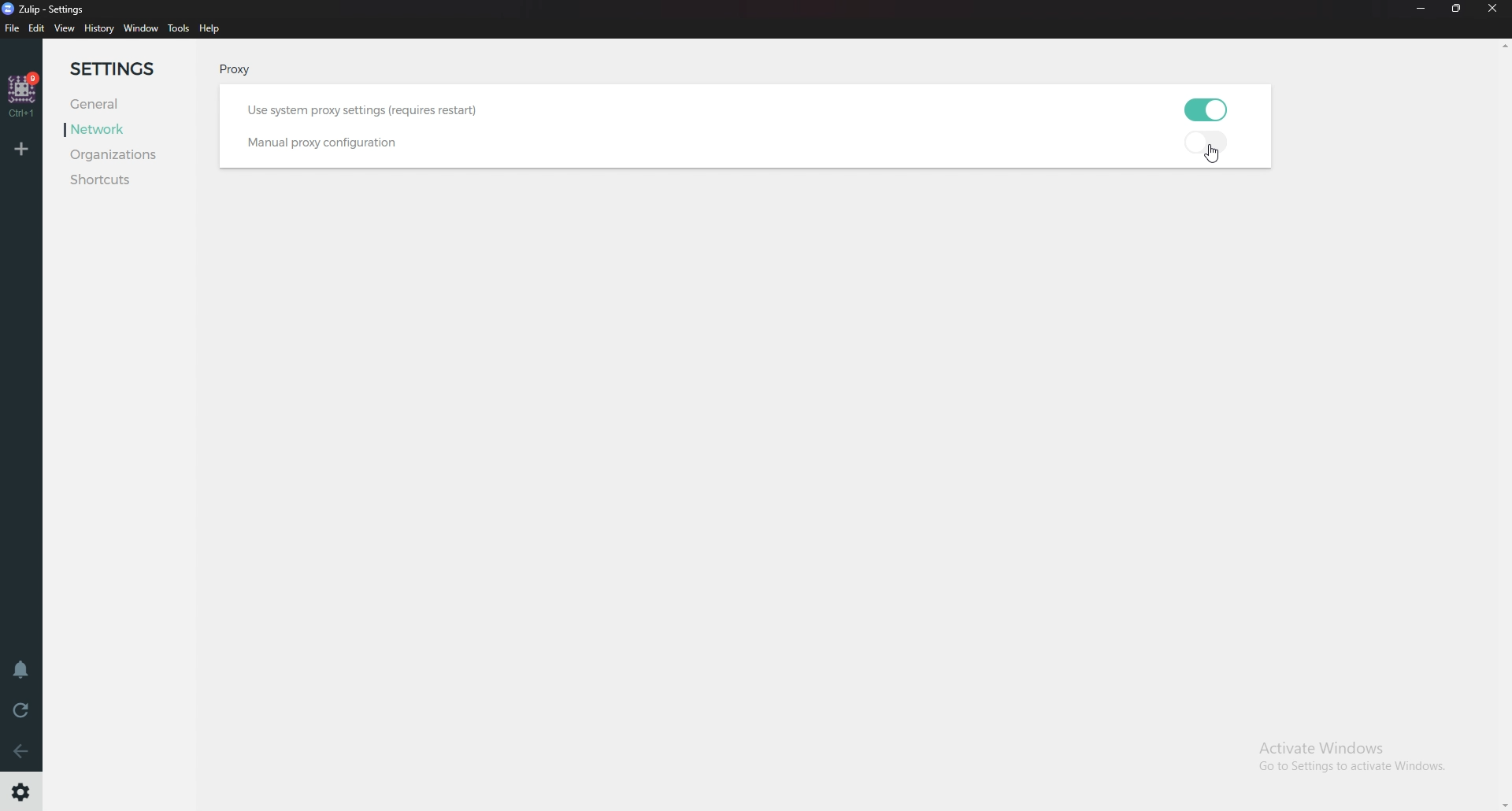 This screenshot has height=811, width=1512. What do you see at coordinates (1495, 13) in the screenshot?
I see `Close` at bounding box center [1495, 13].